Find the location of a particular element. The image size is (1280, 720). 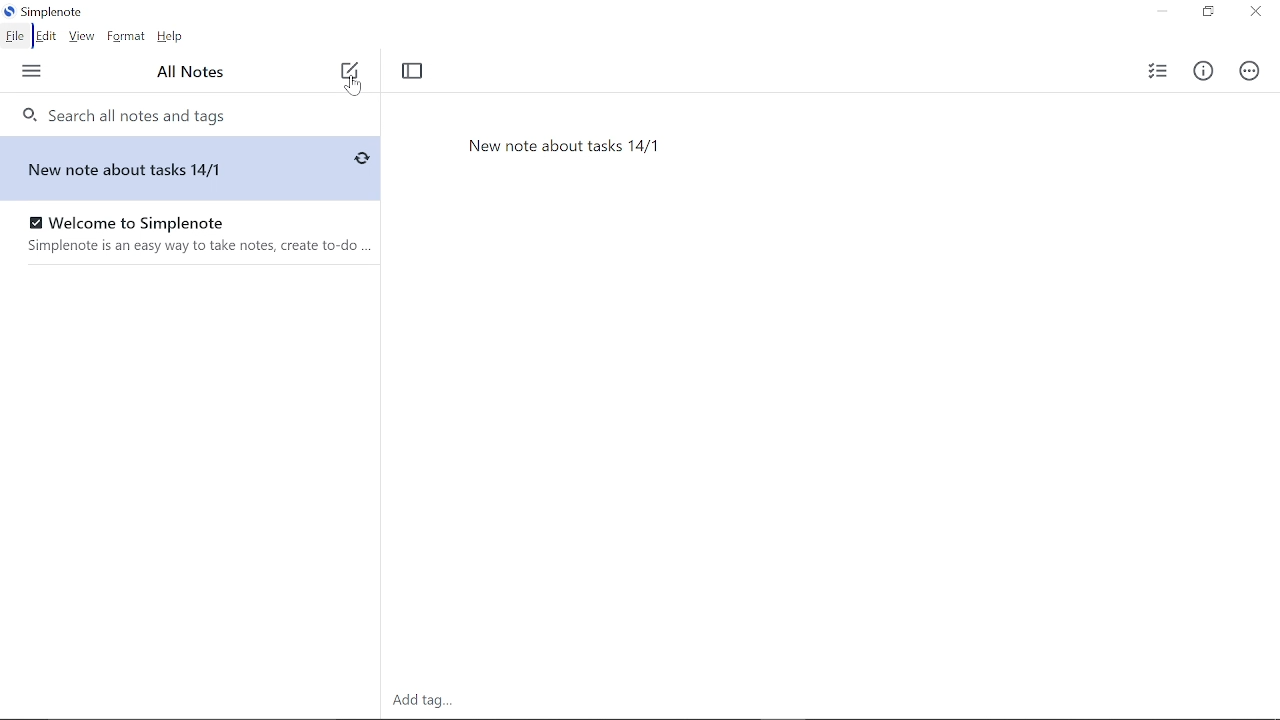

restore down is located at coordinates (1207, 13).